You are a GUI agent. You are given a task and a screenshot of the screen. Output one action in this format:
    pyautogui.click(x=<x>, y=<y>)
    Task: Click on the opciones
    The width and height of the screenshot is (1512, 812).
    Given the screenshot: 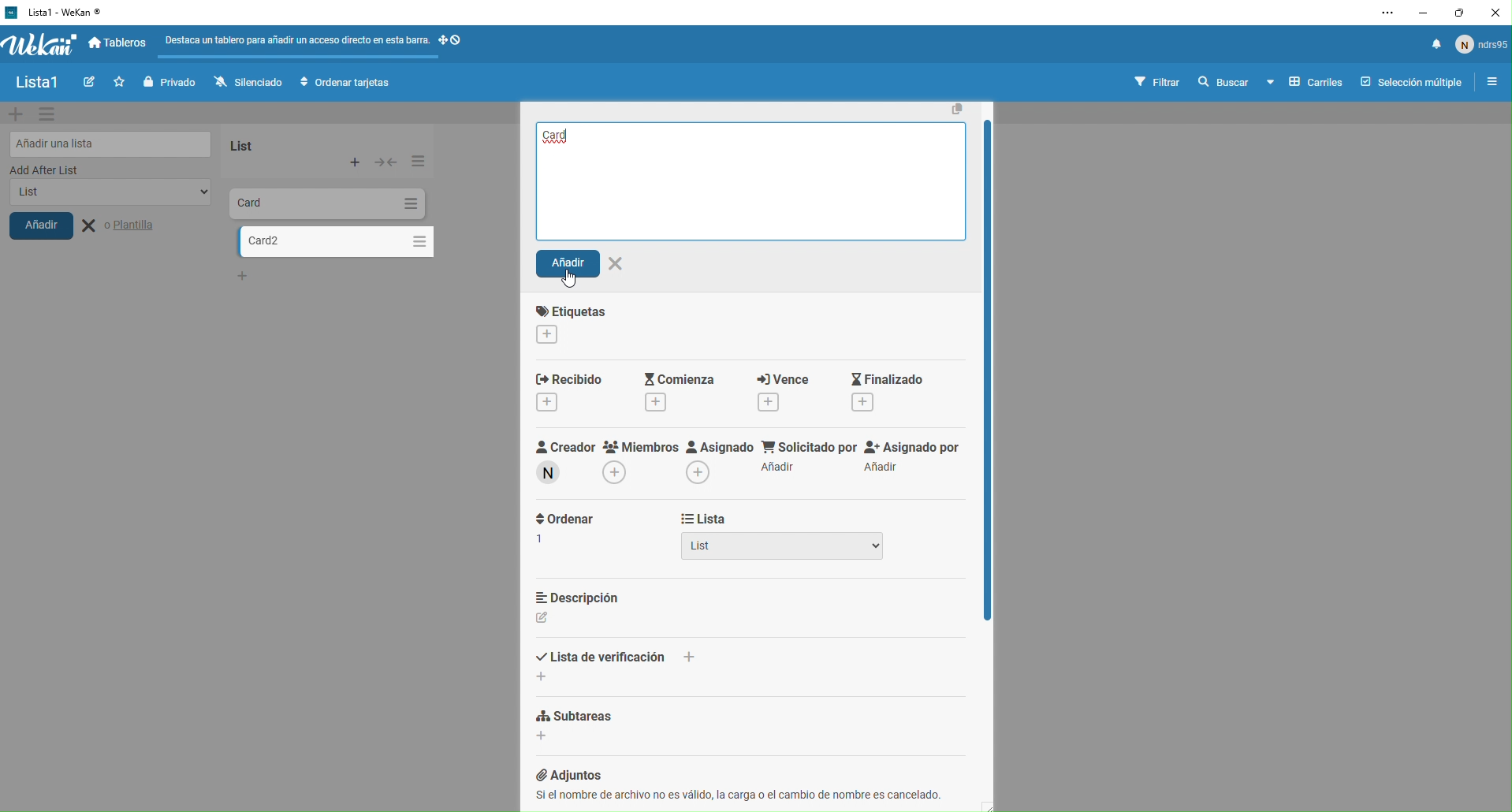 What is the action you would take?
    pyautogui.click(x=1488, y=84)
    